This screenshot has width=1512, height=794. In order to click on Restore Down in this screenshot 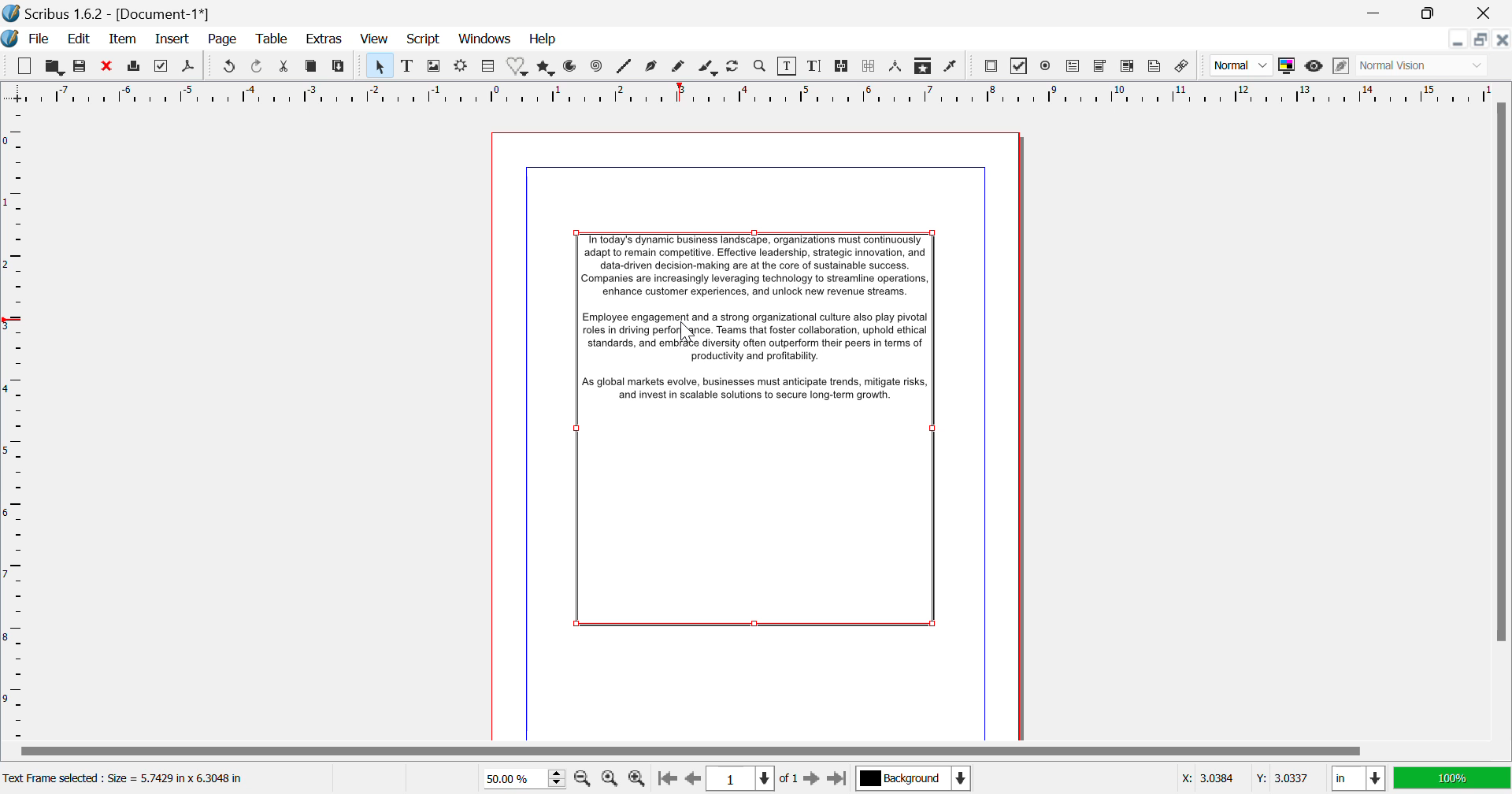, I will do `click(1379, 12)`.